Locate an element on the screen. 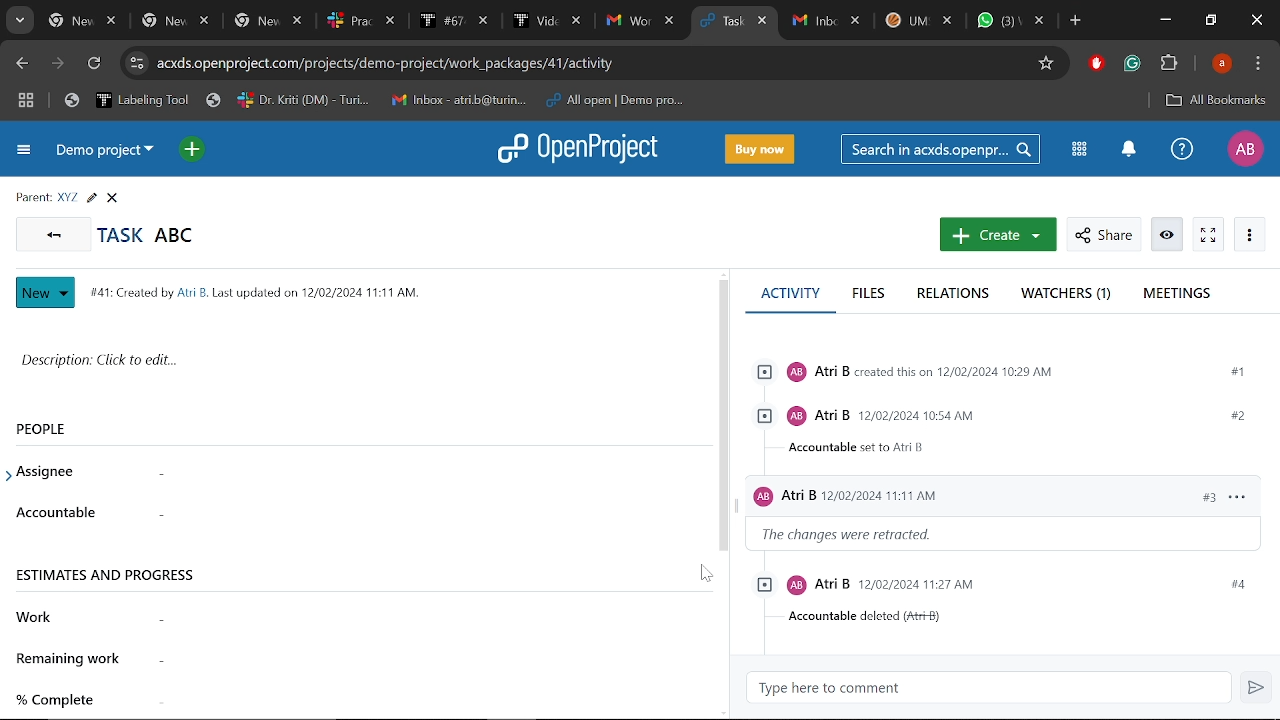 This screenshot has height=720, width=1280. Go to previous page is located at coordinates (52, 233).